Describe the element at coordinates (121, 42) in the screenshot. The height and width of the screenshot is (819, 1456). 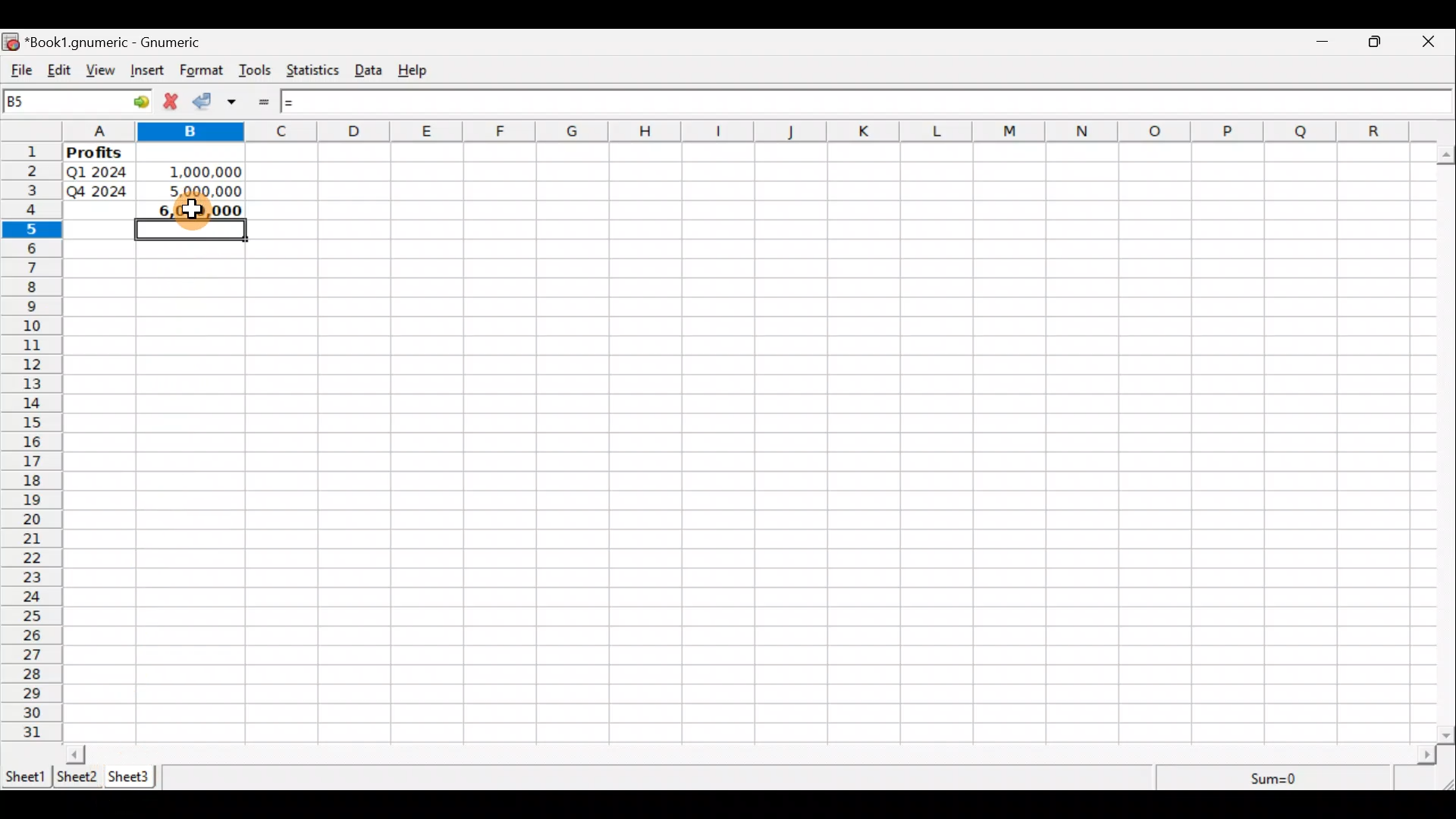
I see `“Book1.gnumeric - Gnumeric` at that location.